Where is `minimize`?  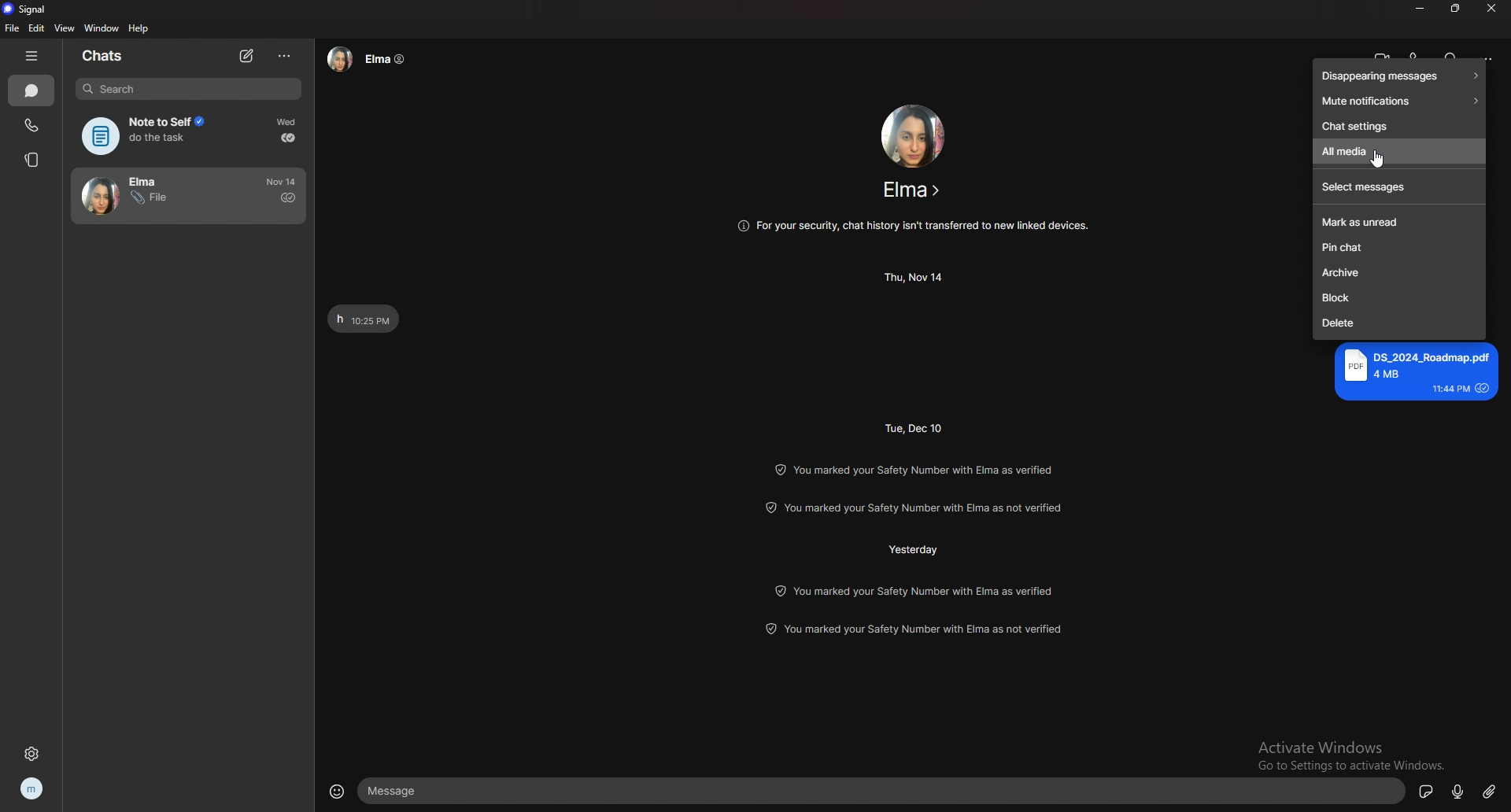 minimize is located at coordinates (1422, 8).